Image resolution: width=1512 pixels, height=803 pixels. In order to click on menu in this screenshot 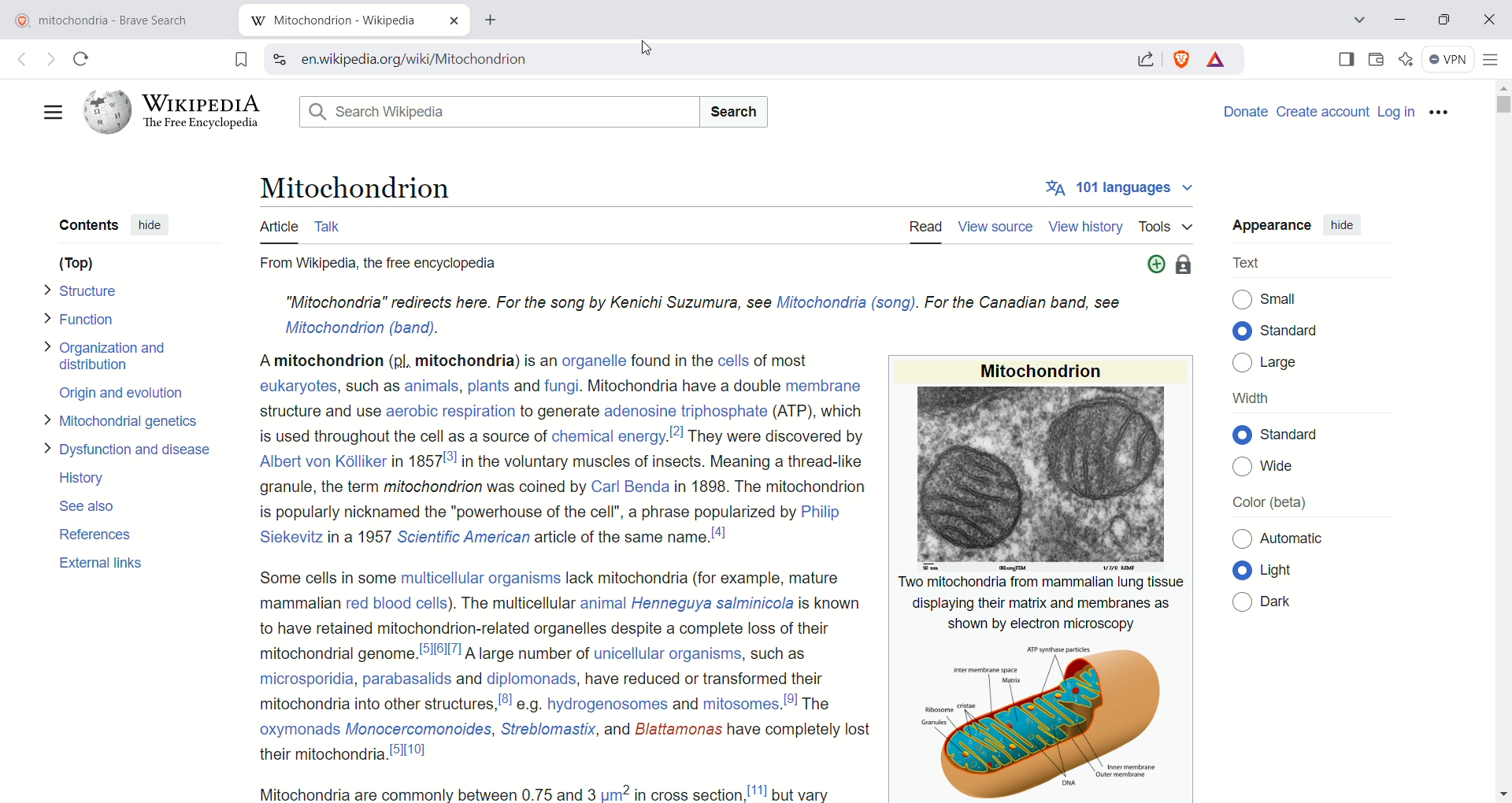, I will do `click(50, 112)`.